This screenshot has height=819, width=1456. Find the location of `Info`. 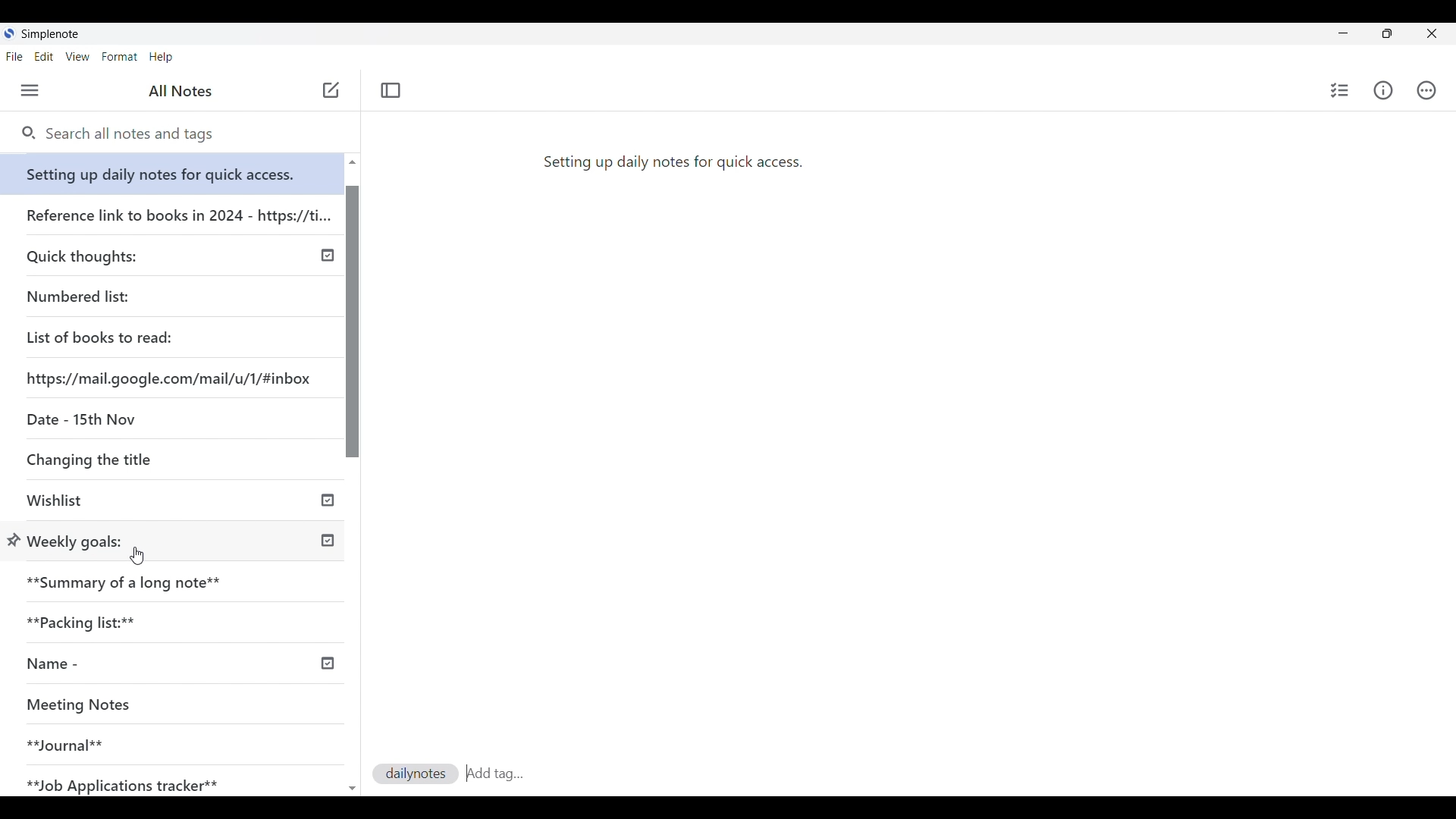

Info is located at coordinates (1382, 91).